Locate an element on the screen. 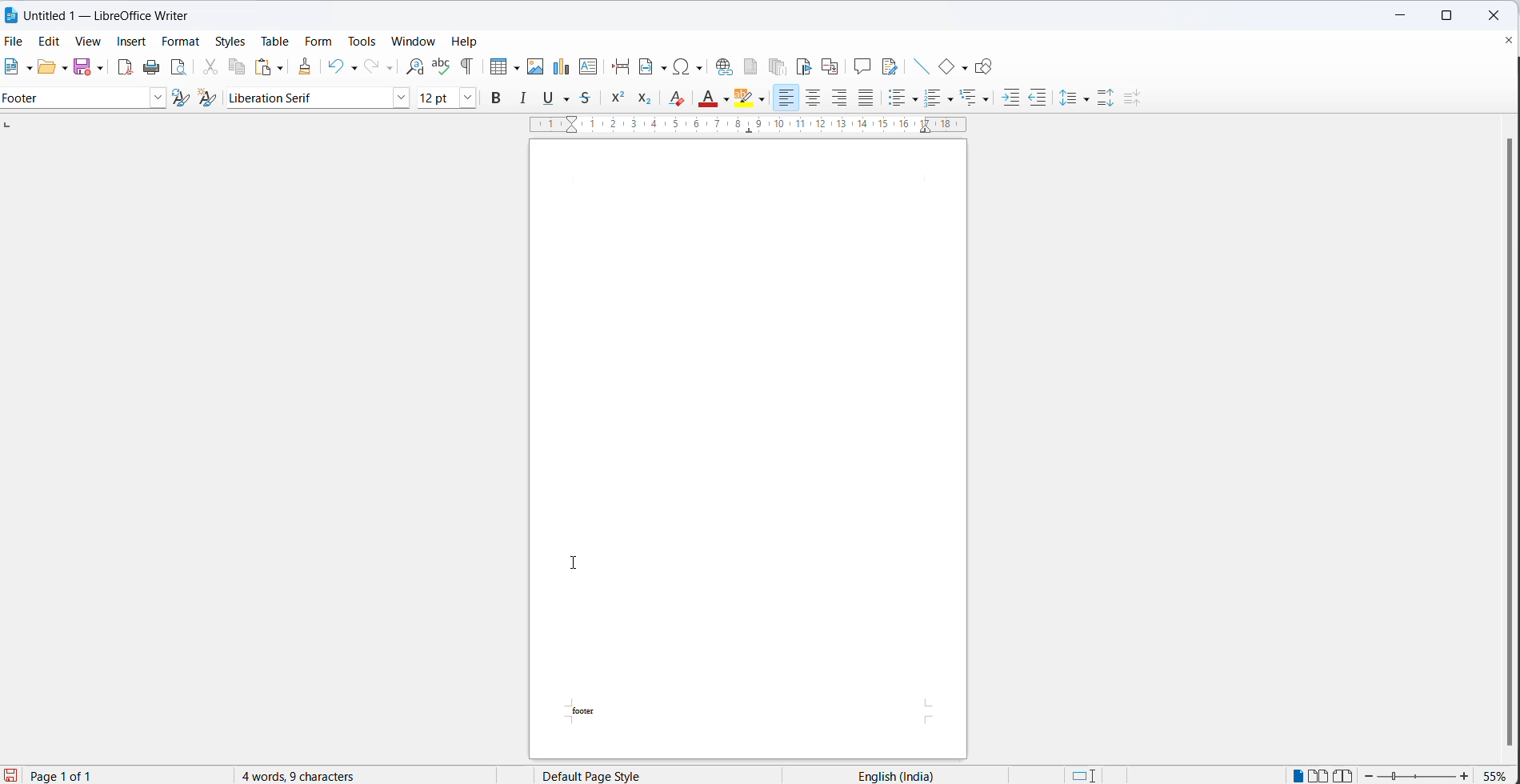 The image size is (1520, 784). insert cell is located at coordinates (495, 66).